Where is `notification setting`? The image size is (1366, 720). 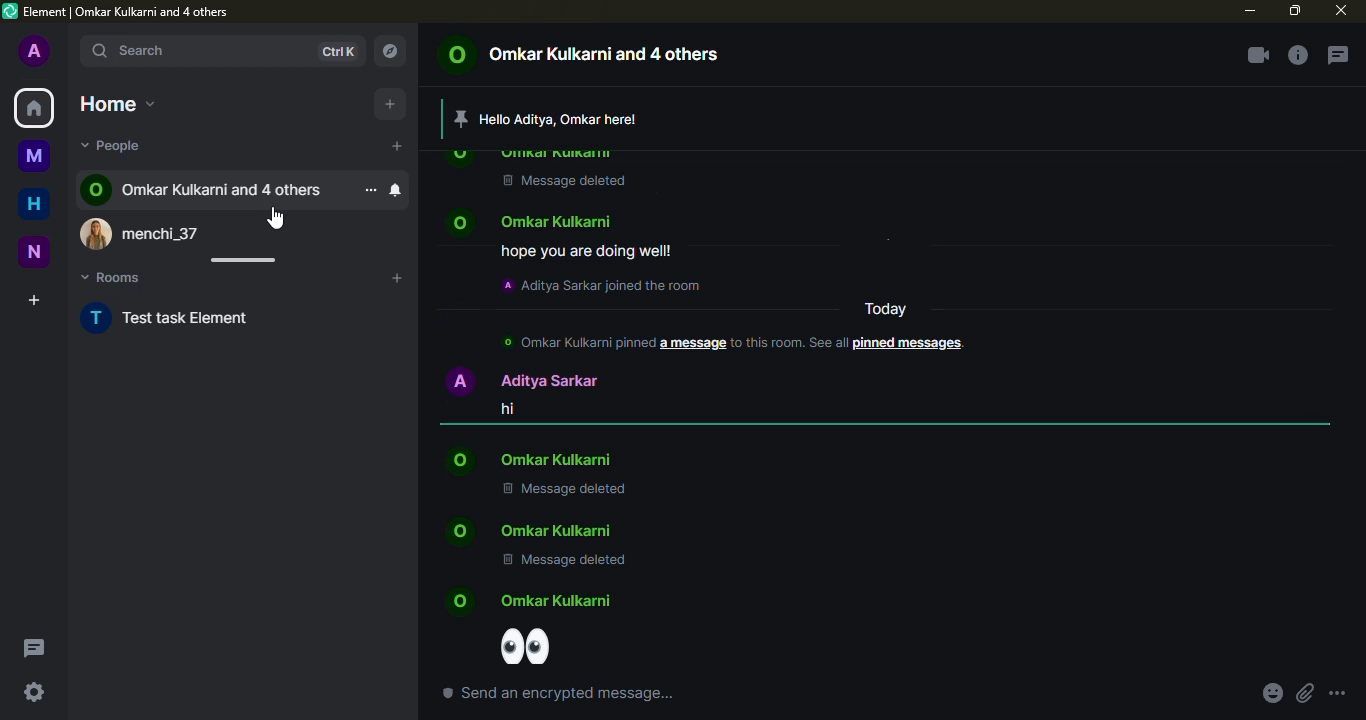 notification setting is located at coordinates (395, 189).